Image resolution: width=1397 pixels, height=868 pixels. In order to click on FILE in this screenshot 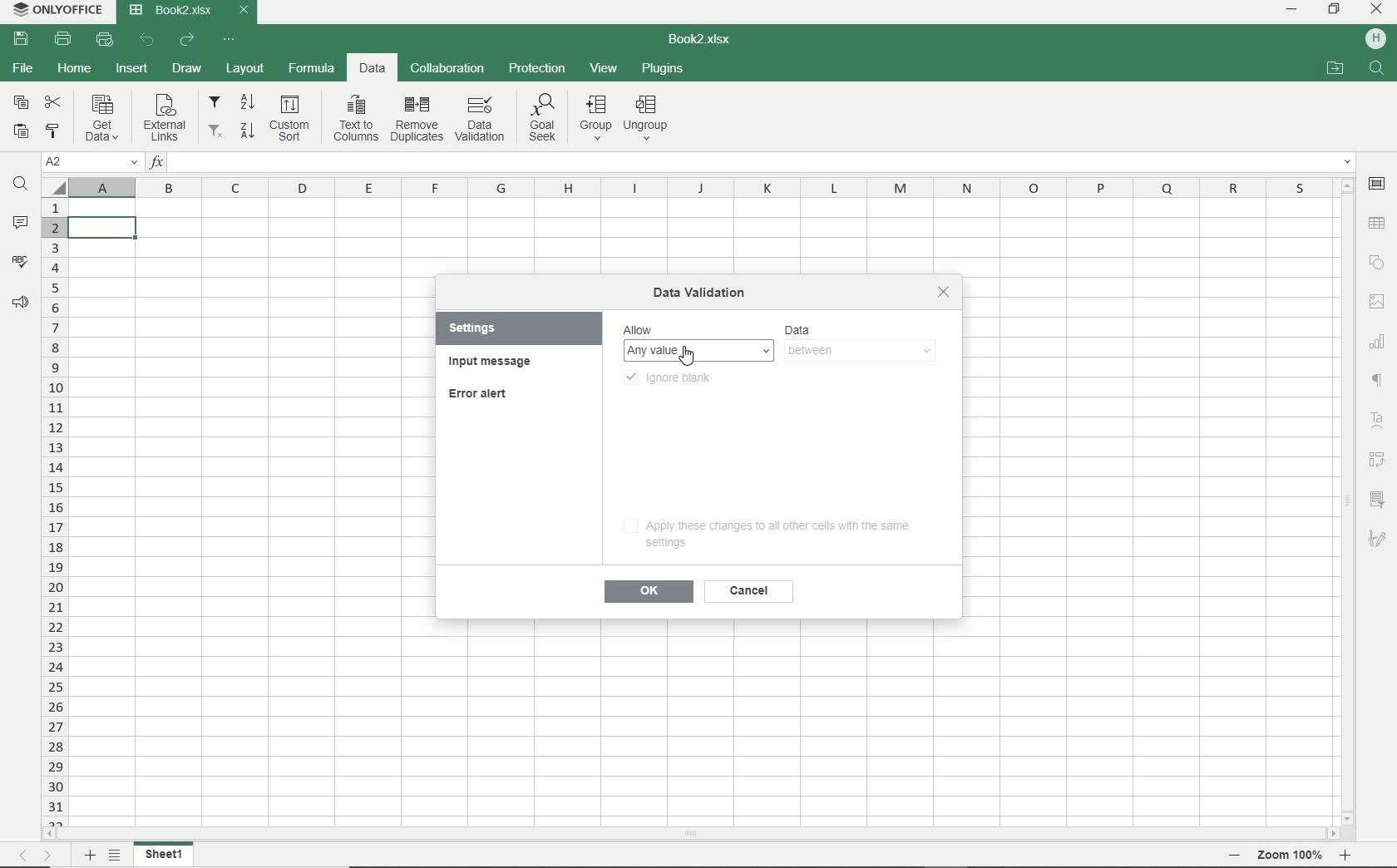, I will do `click(23, 68)`.